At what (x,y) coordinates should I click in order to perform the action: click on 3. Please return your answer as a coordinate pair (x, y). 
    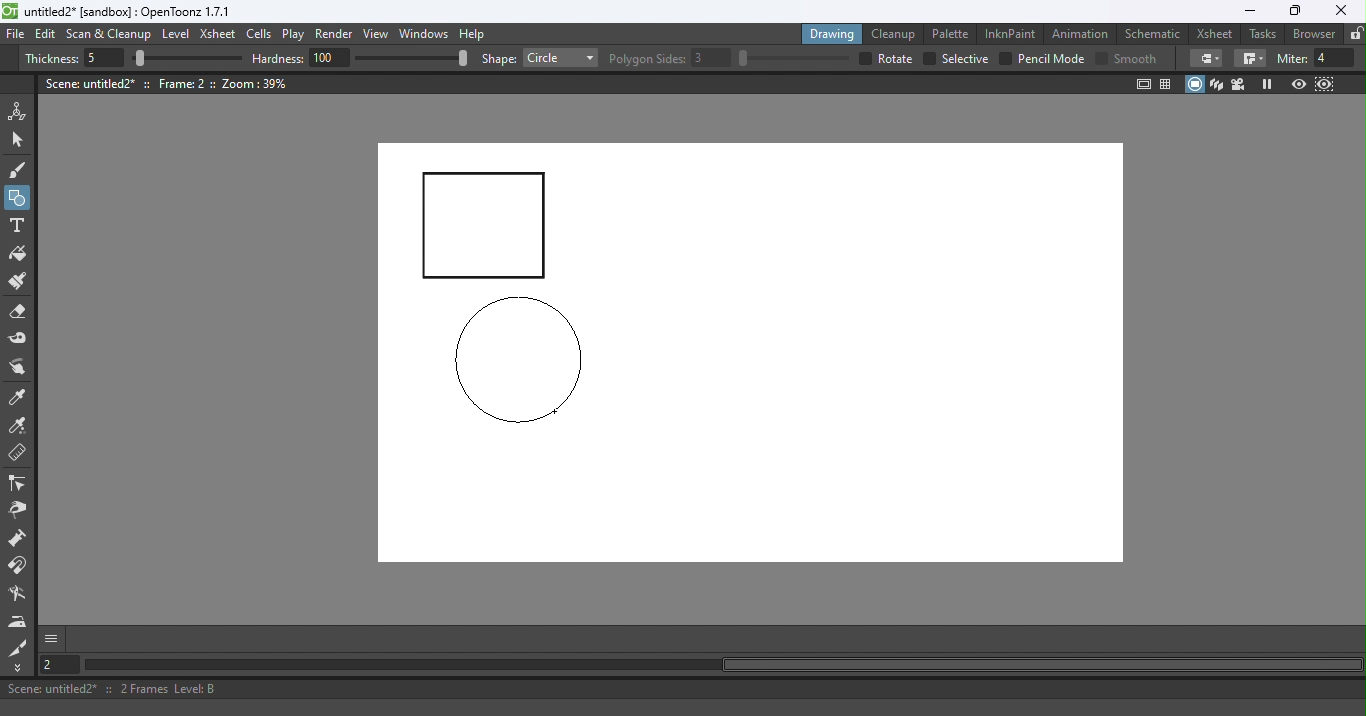
    Looking at the image, I should click on (712, 58).